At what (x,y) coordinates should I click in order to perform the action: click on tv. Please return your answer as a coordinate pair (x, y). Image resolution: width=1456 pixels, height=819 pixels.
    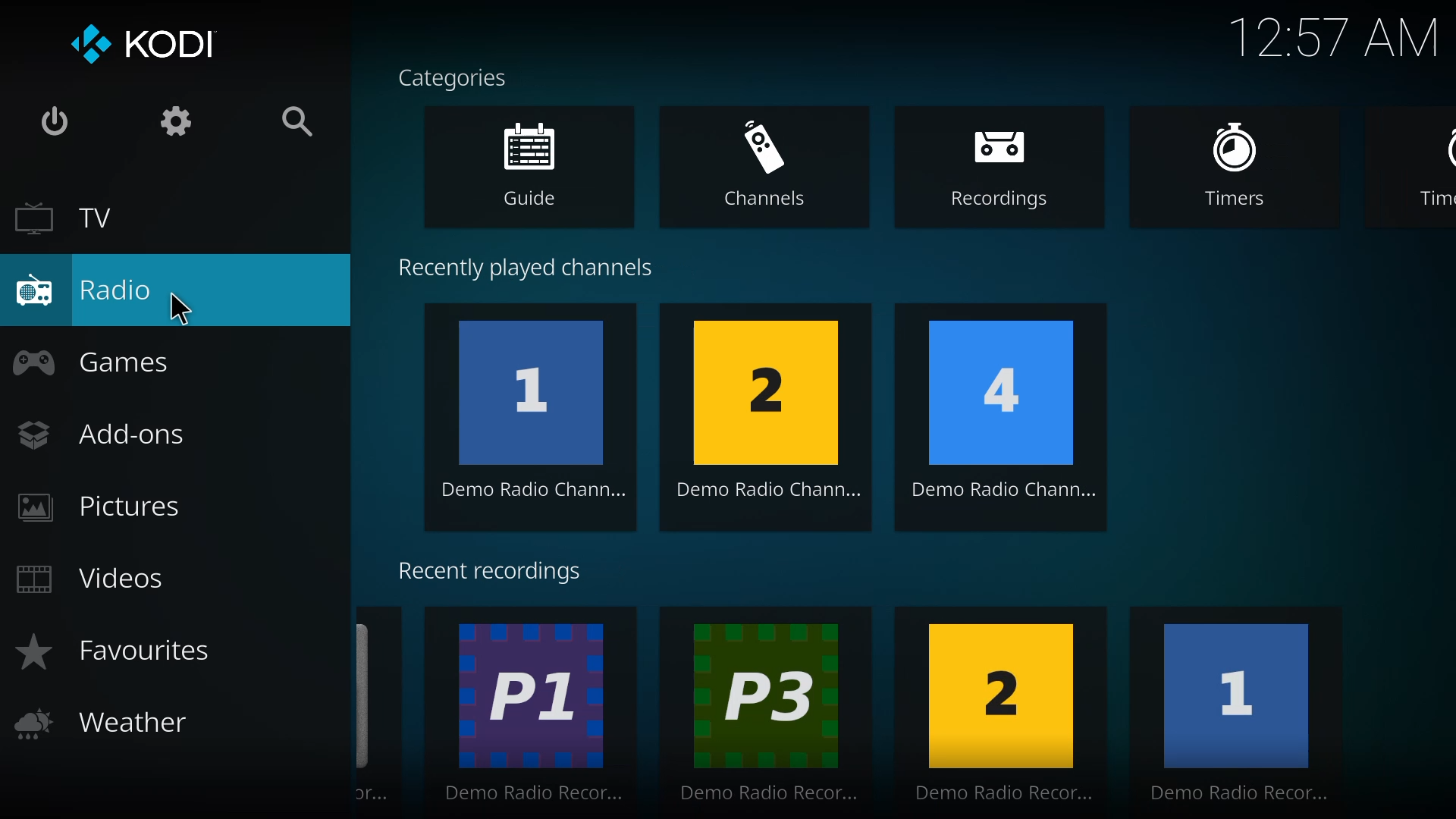
    Looking at the image, I should click on (65, 219).